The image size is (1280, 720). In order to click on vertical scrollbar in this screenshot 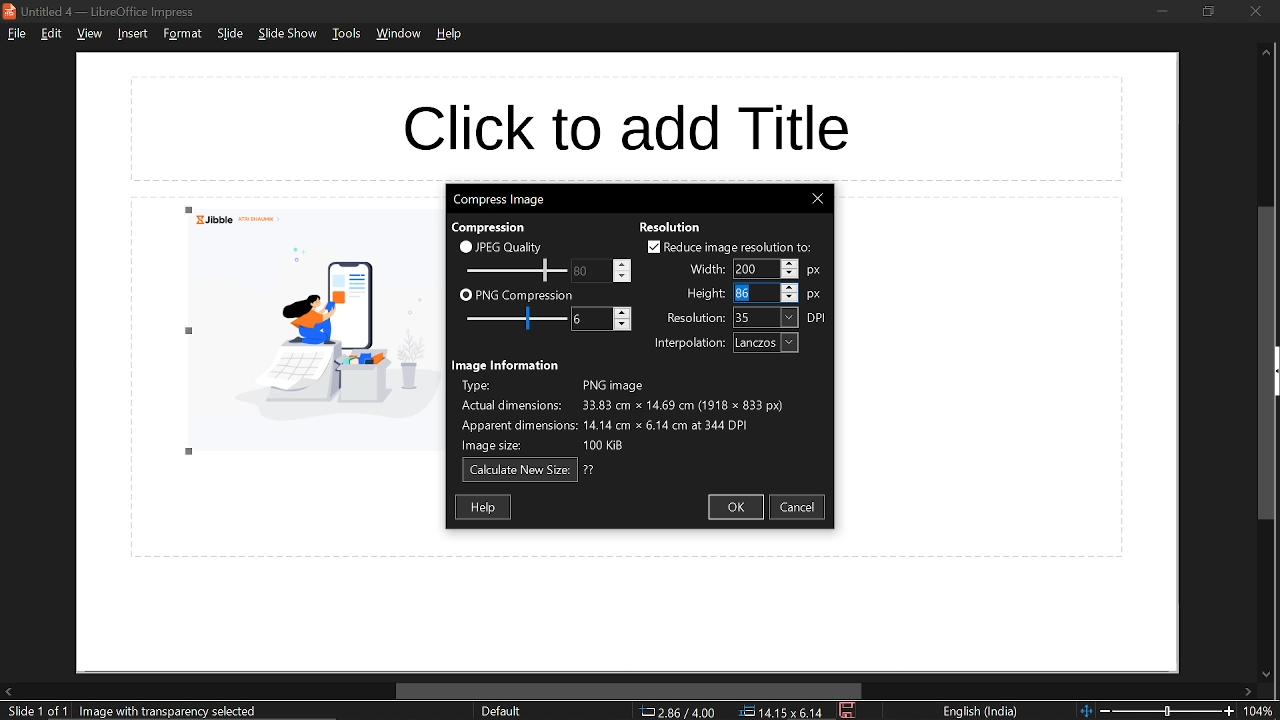, I will do `click(1268, 364)`.